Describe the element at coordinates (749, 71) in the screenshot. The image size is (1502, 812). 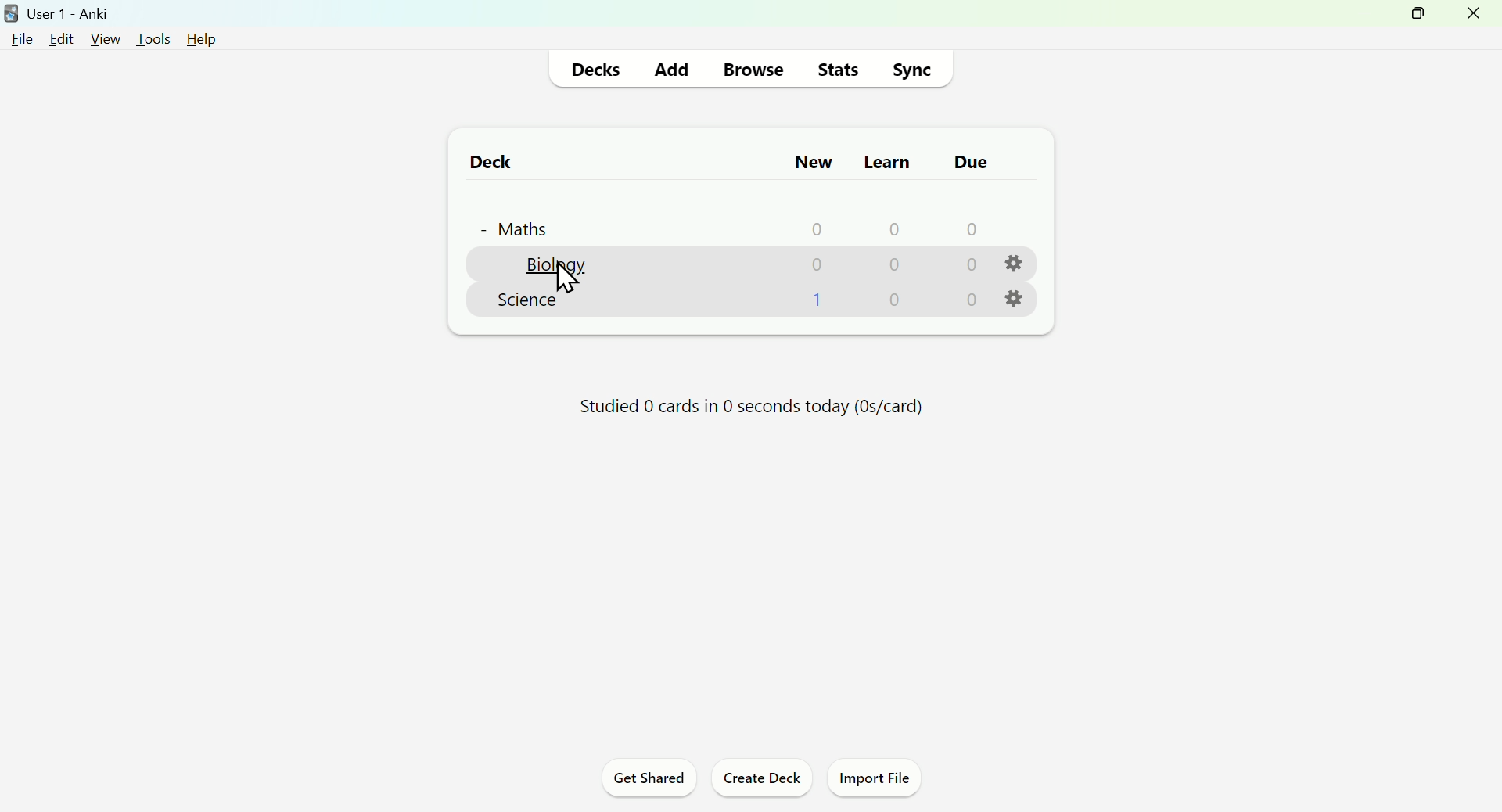
I see `Browse` at that location.